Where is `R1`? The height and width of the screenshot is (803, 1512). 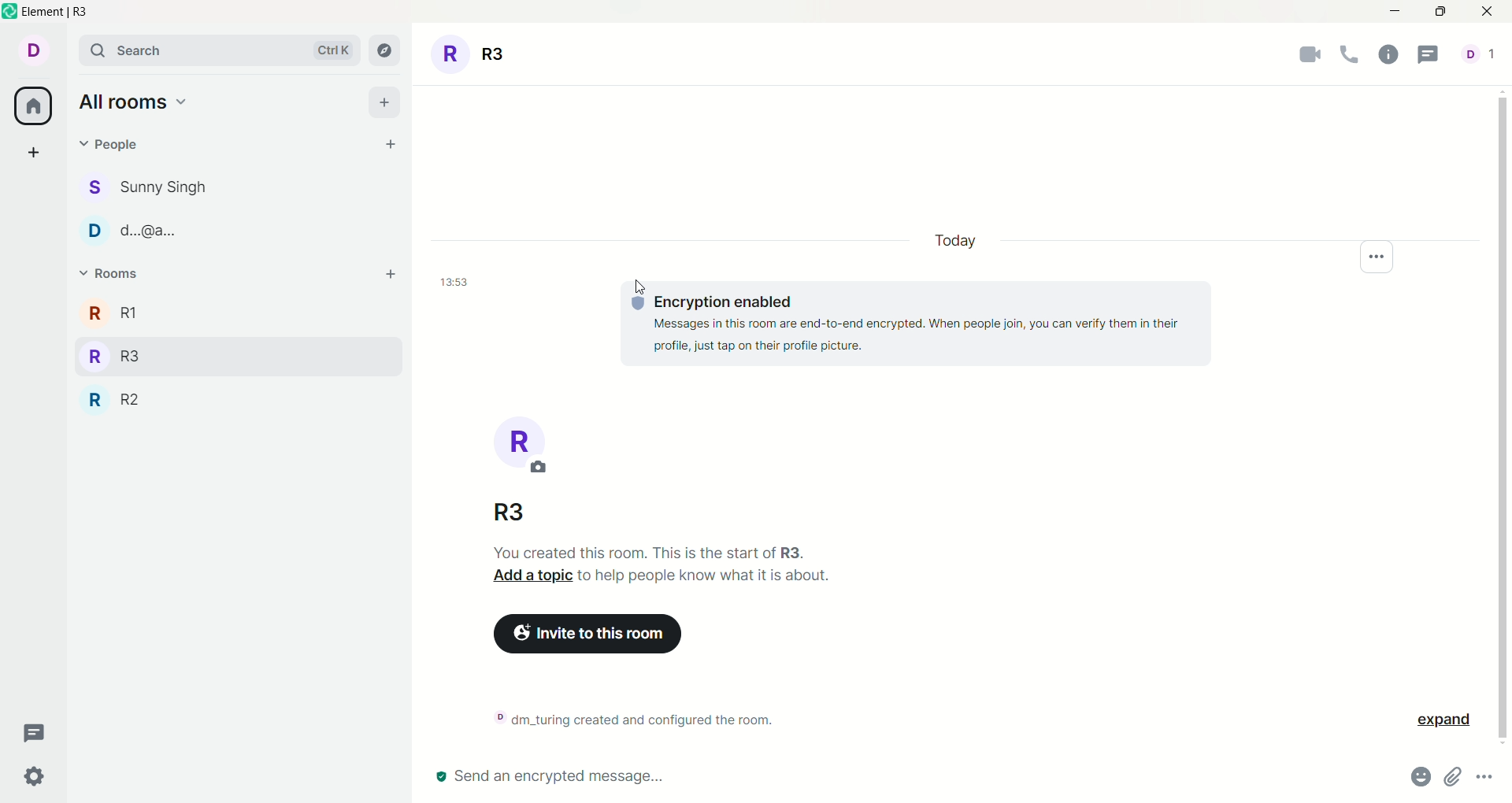 R1 is located at coordinates (108, 314).